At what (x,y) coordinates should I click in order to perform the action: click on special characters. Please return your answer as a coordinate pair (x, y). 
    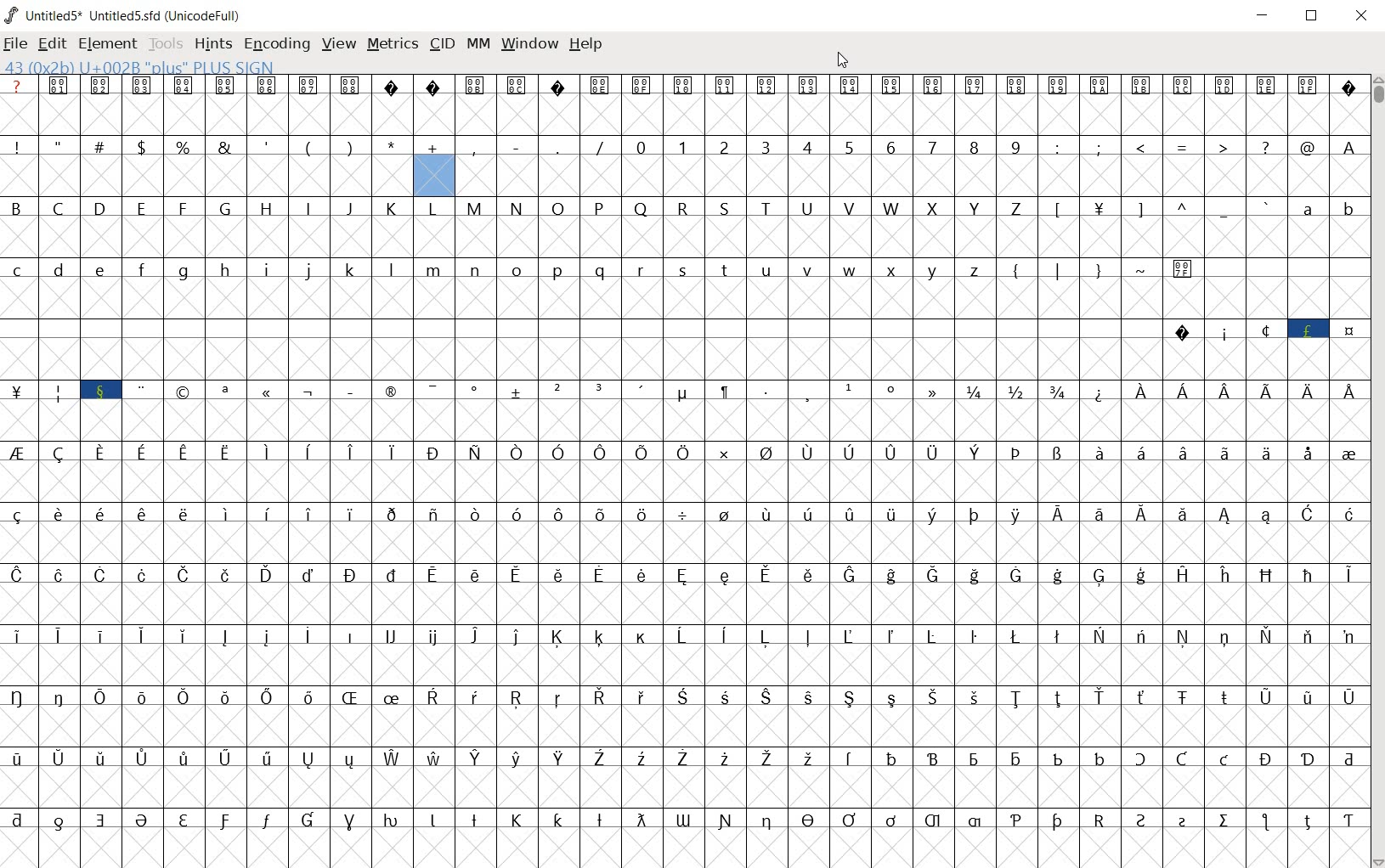
    Looking at the image, I should click on (205, 167).